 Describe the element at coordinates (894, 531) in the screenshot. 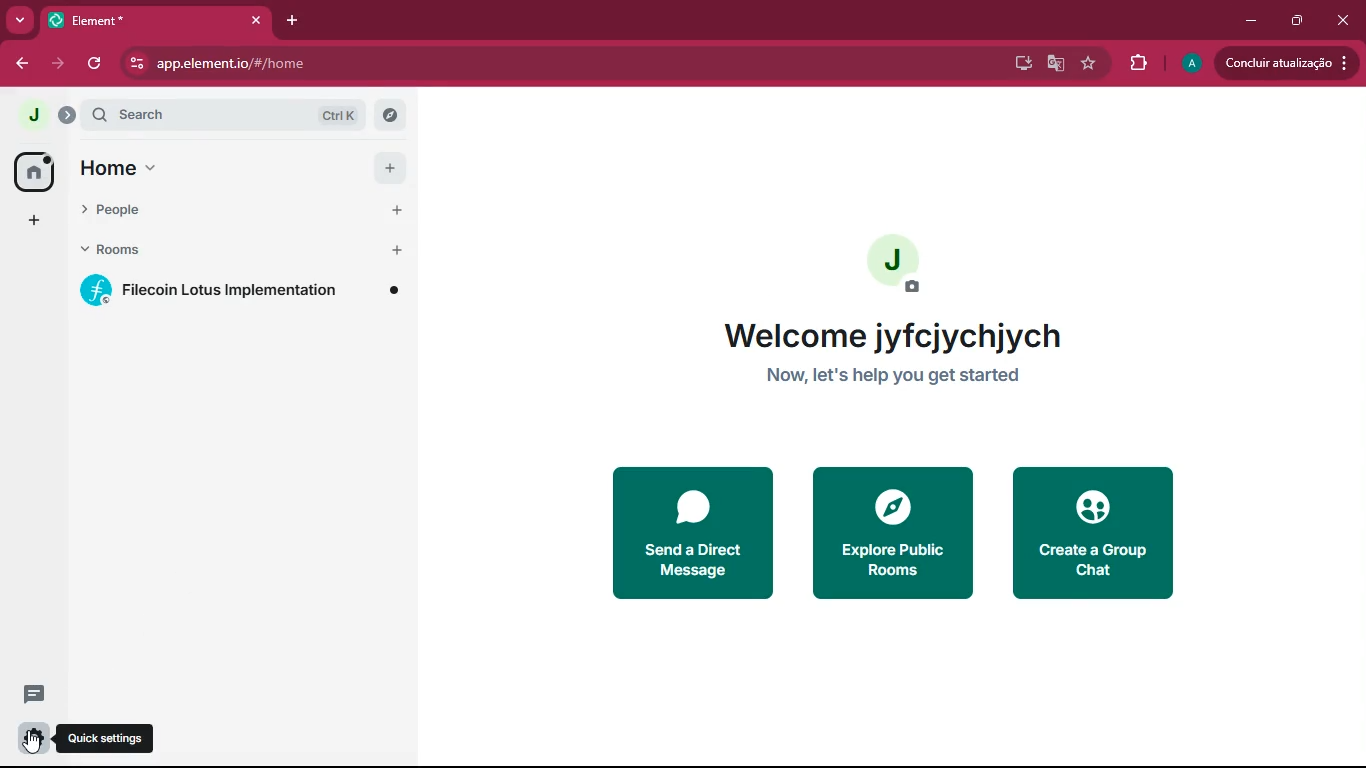

I see `explore public rooms` at that location.